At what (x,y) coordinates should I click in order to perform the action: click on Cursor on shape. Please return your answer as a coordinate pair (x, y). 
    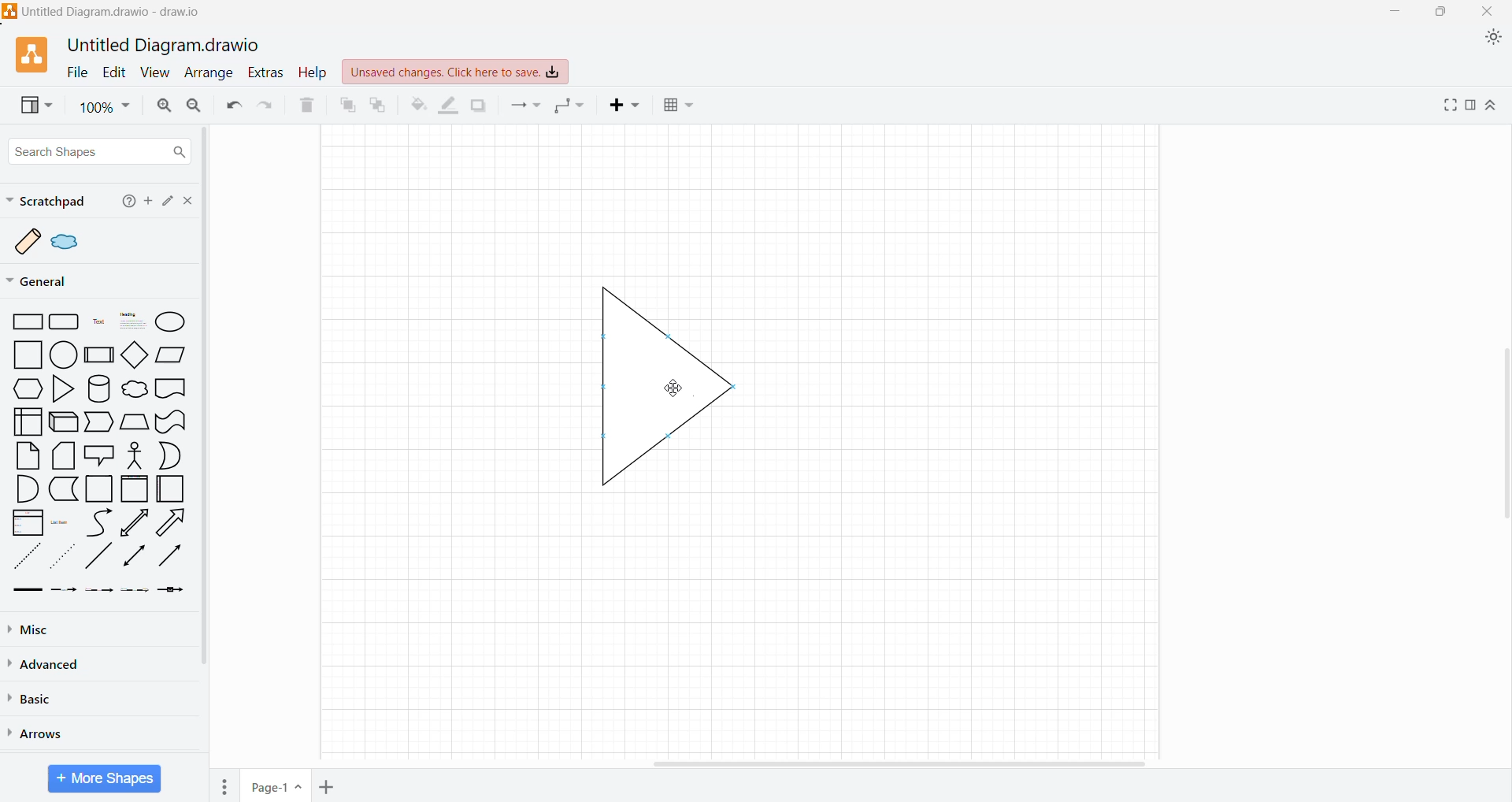
    Looking at the image, I should click on (666, 385).